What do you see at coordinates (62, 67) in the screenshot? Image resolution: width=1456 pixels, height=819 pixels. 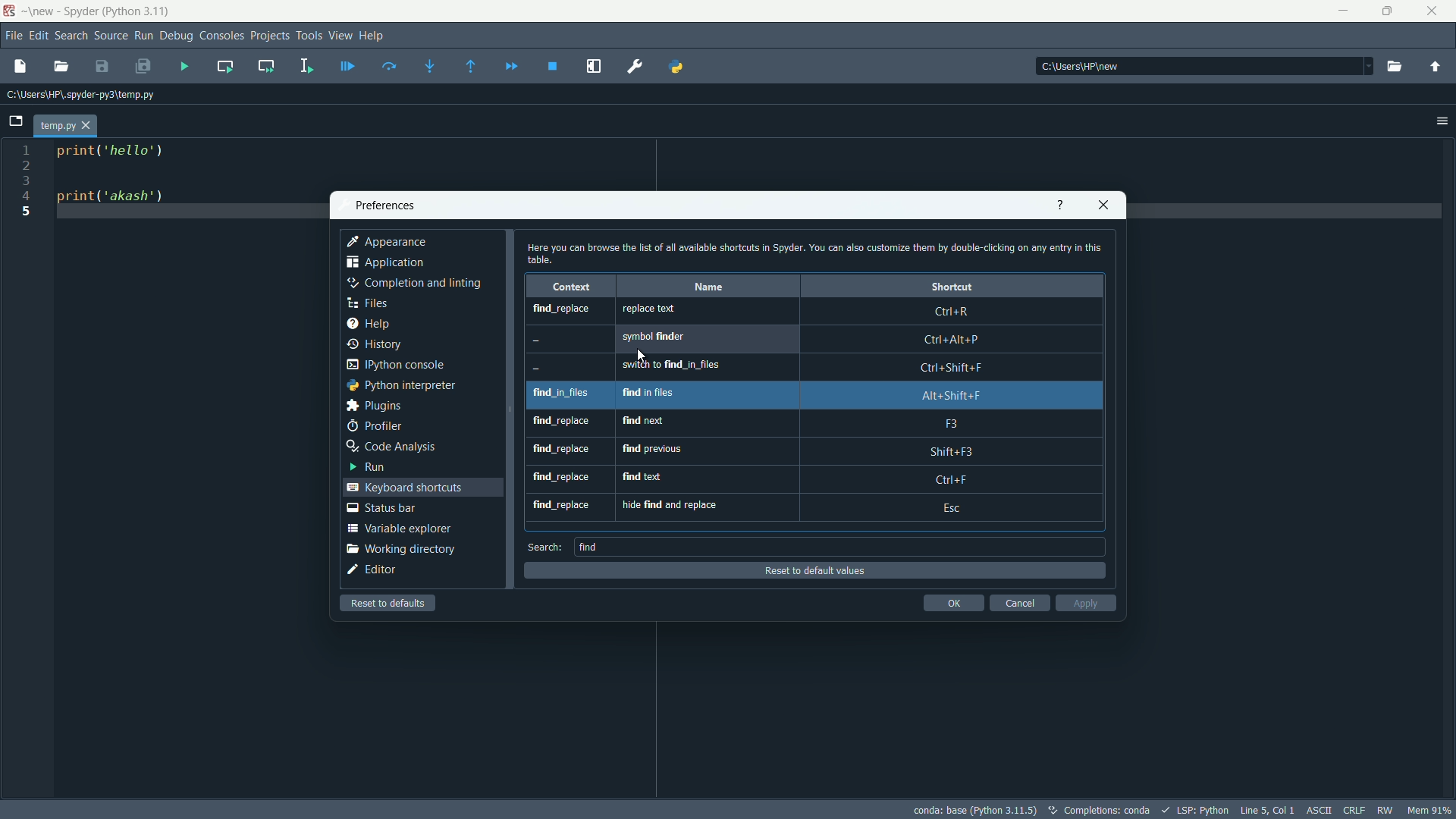 I see `open file` at bounding box center [62, 67].